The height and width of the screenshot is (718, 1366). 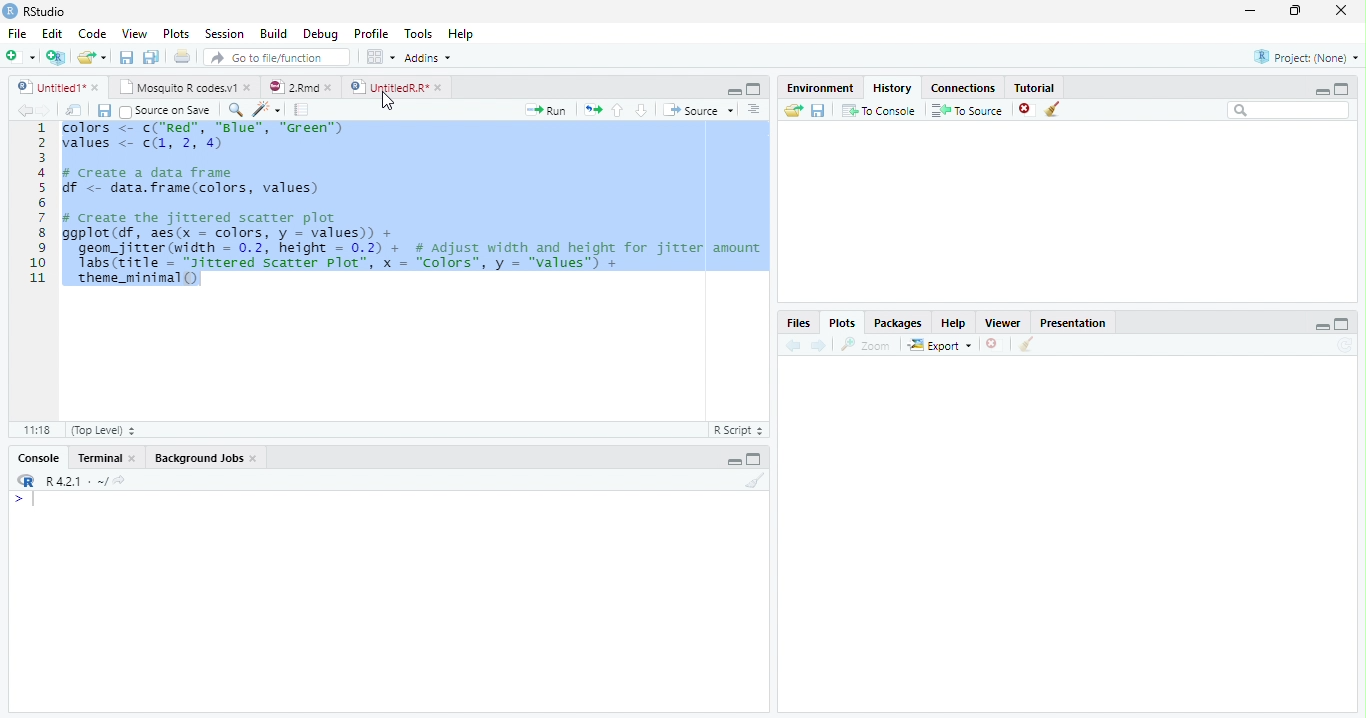 What do you see at coordinates (236, 109) in the screenshot?
I see `Find/Replace` at bounding box center [236, 109].